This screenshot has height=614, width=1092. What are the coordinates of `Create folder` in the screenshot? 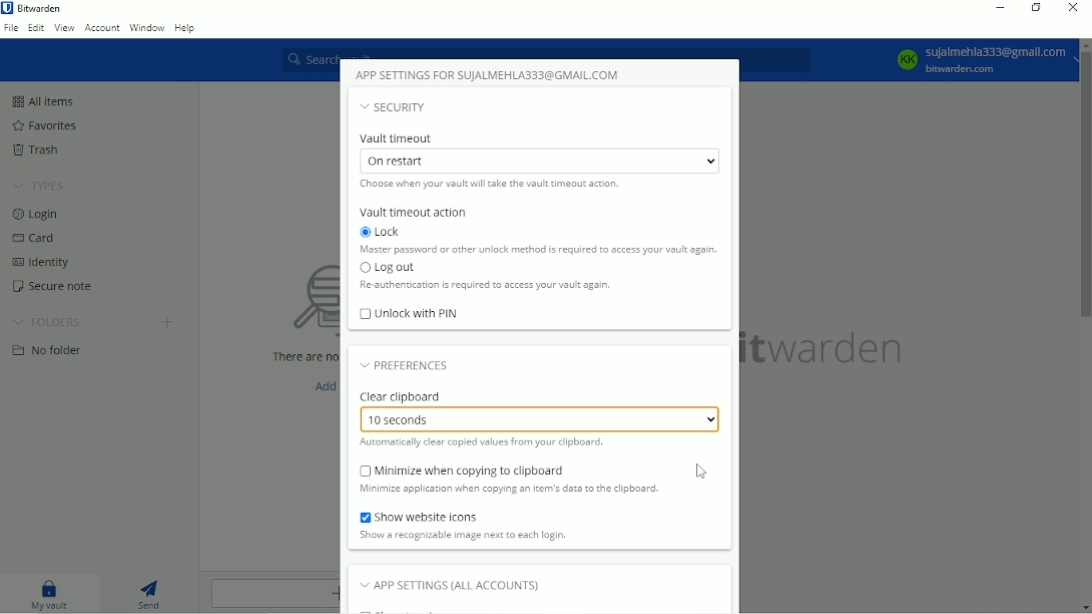 It's located at (166, 323).